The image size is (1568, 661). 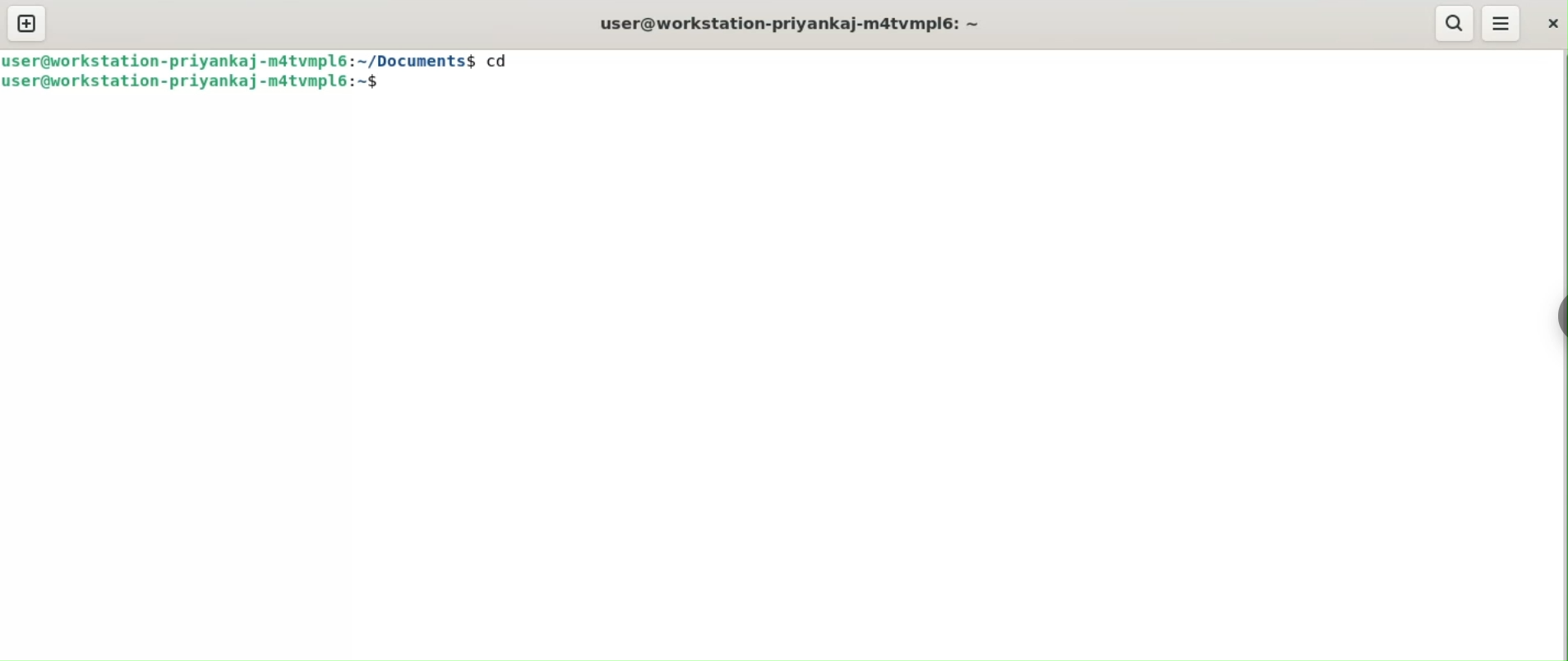 What do you see at coordinates (1454, 24) in the screenshot?
I see `search` at bounding box center [1454, 24].